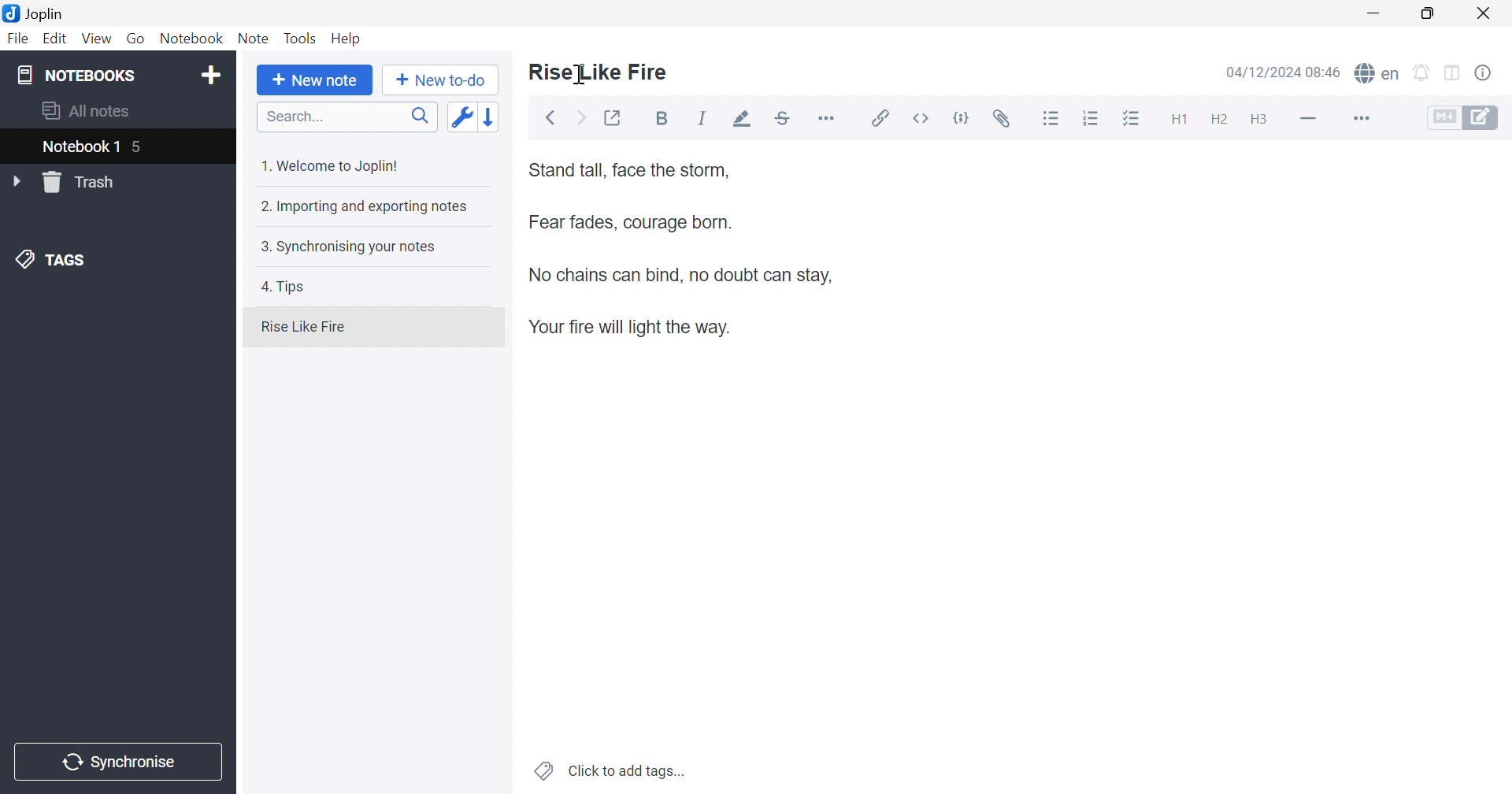 This screenshot has height=794, width=1512. Describe the element at coordinates (353, 248) in the screenshot. I see `3. Synchronising your notes` at that location.